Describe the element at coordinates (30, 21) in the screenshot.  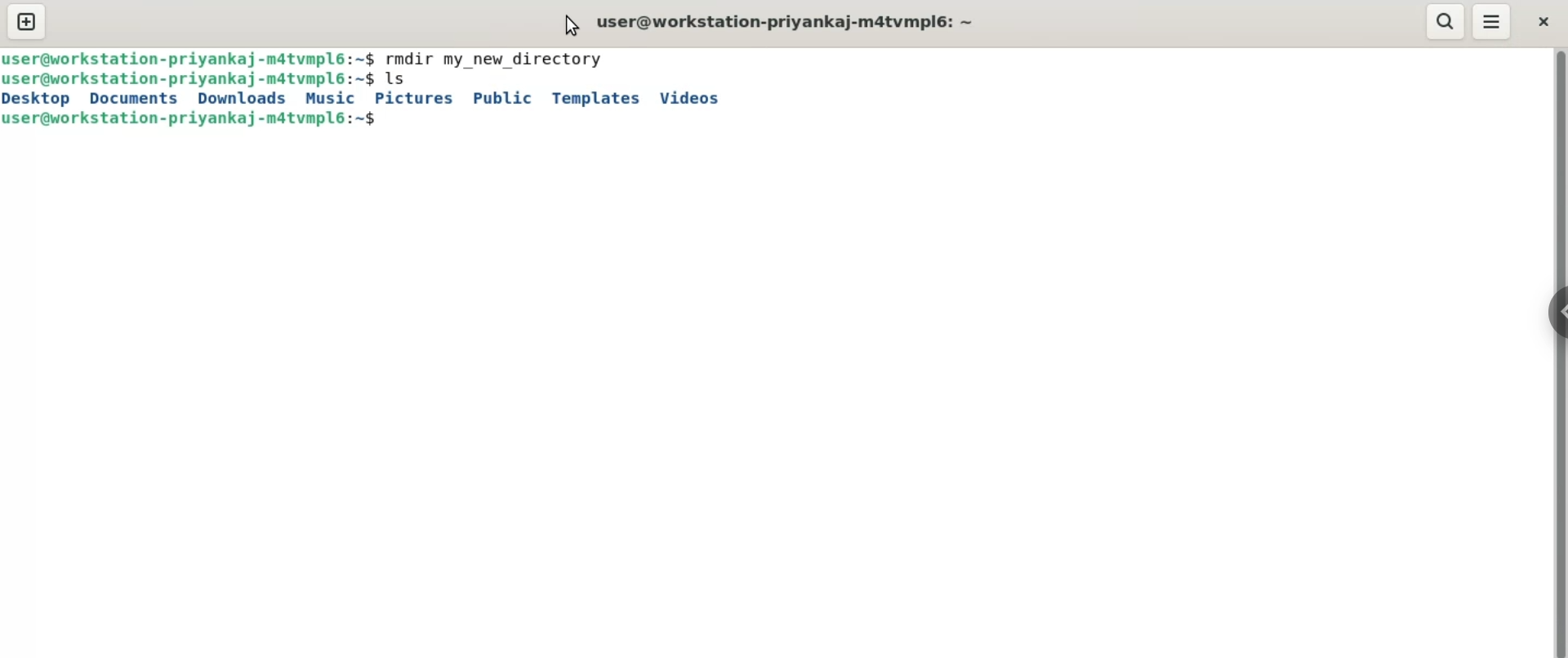
I see `new tab` at that location.